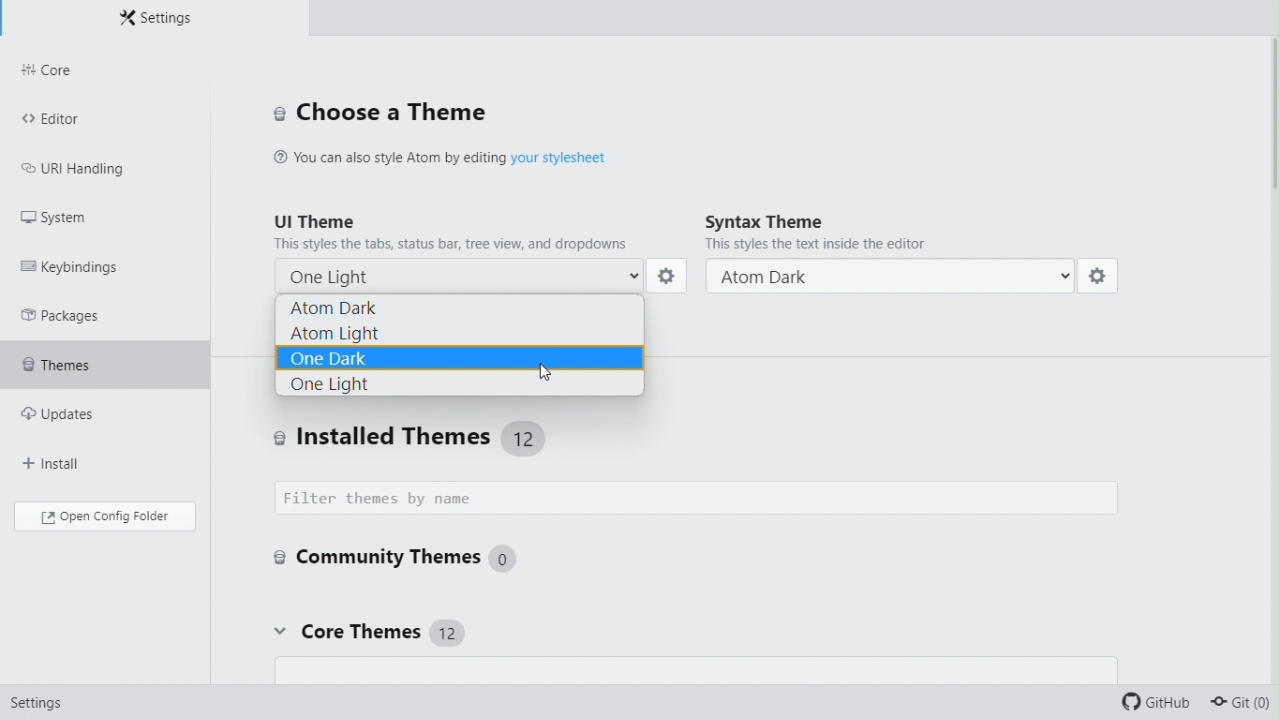  I want to click on Packages, so click(67, 316).